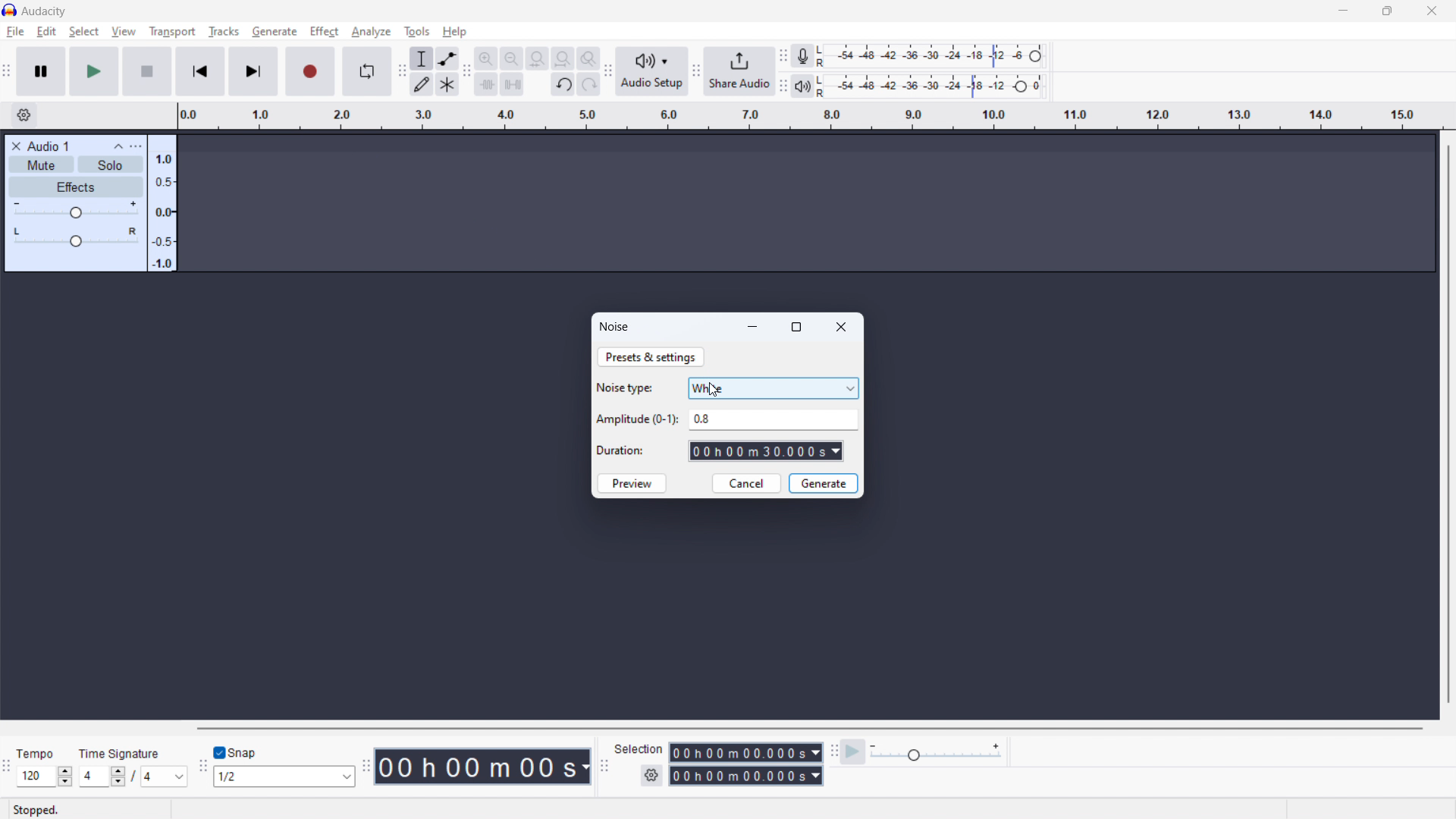 This screenshot has height=819, width=1456. What do you see at coordinates (853, 752) in the screenshot?
I see `play at speed` at bounding box center [853, 752].